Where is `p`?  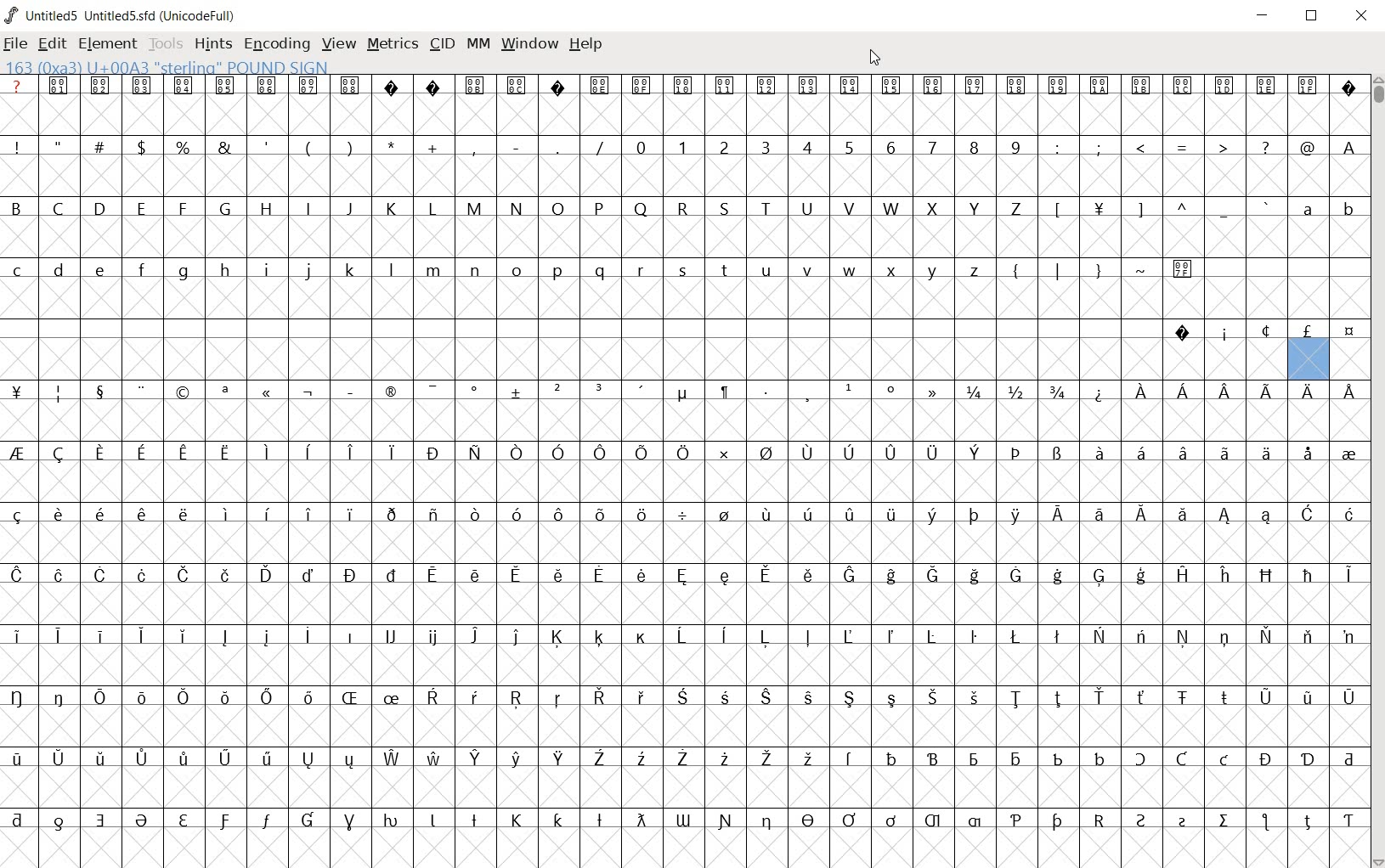
p is located at coordinates (557, 272).